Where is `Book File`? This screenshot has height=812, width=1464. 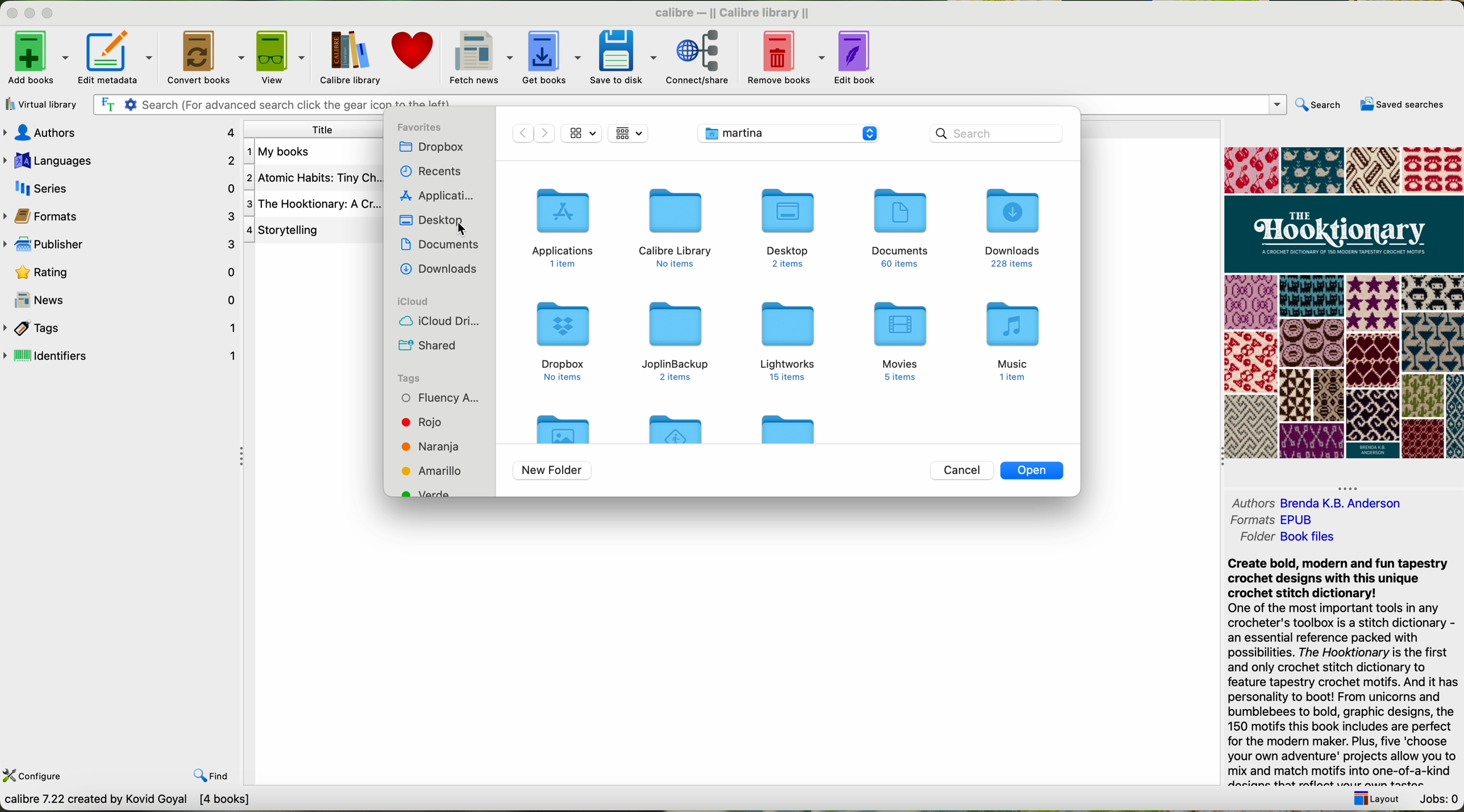
Book File is located at coordinates (1338, 538).